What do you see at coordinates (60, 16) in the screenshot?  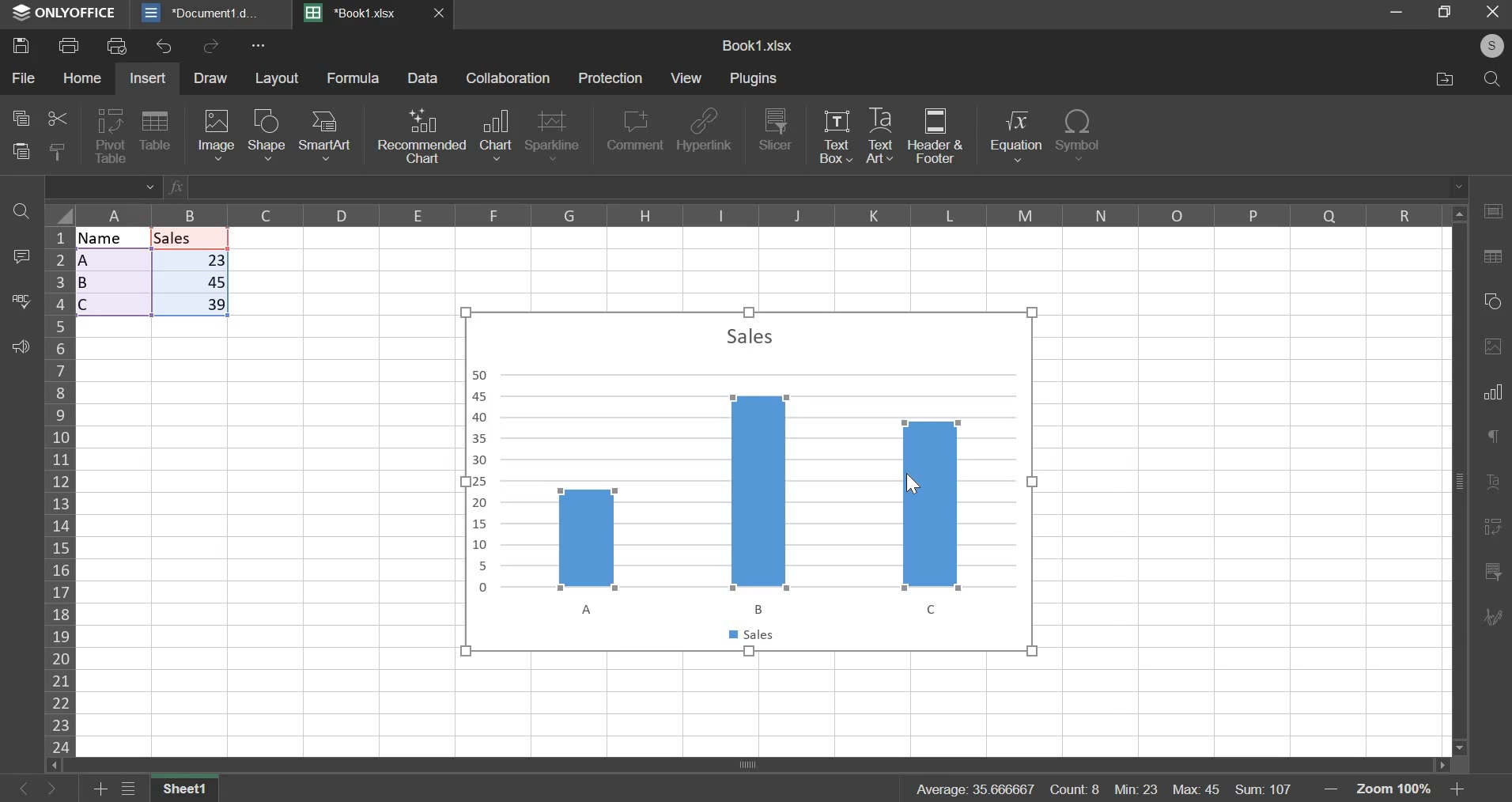 I see `ONLYOFFICE` at bounding box center [60, 16].